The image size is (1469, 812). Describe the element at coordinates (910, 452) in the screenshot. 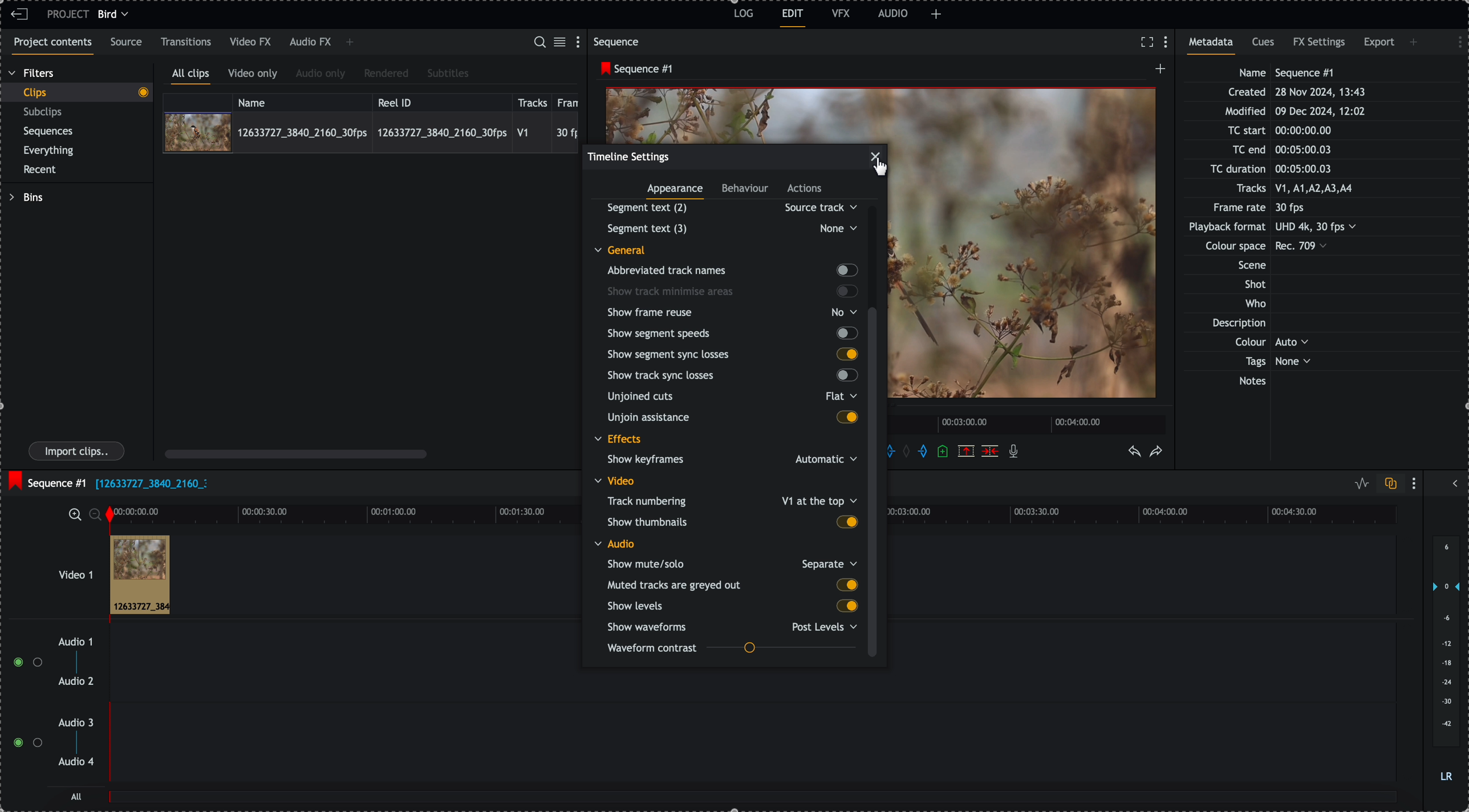

I see `clear marks` at that location.